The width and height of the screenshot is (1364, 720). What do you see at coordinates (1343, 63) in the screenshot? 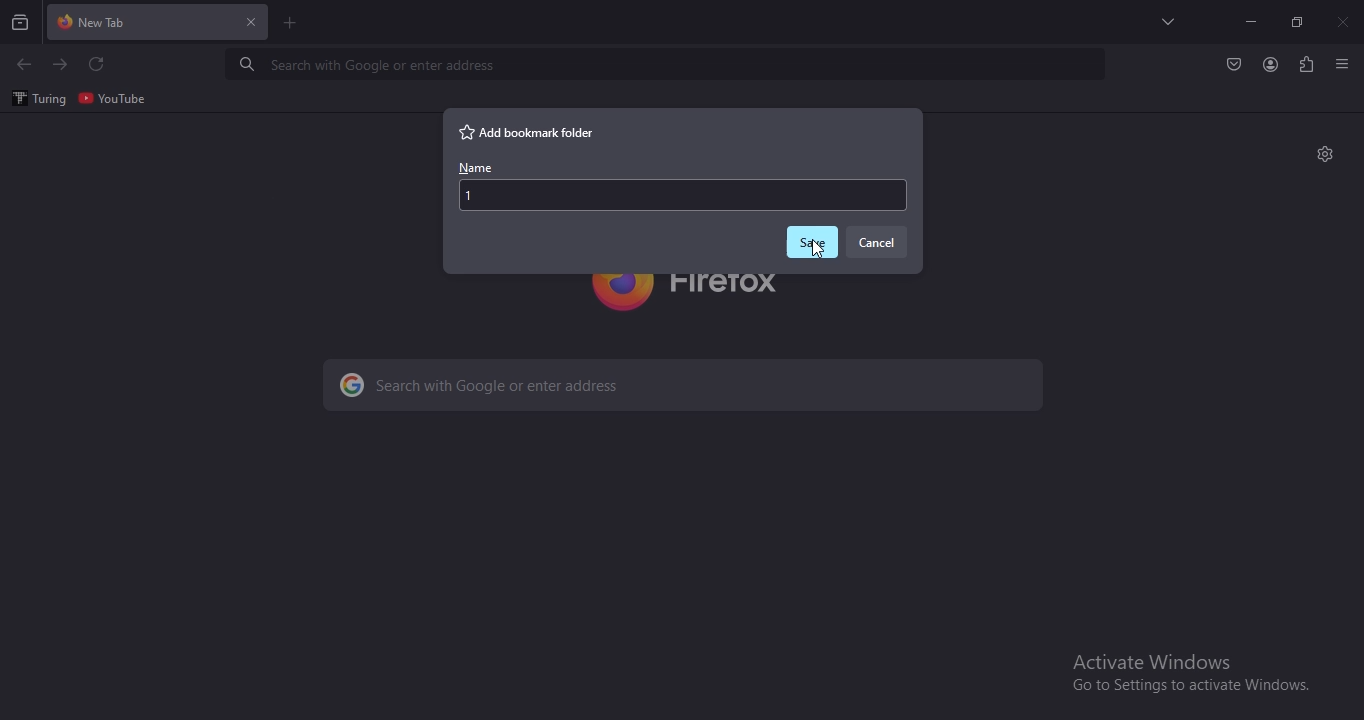
I see `view settings menu` at bounding box center [1343, 63].